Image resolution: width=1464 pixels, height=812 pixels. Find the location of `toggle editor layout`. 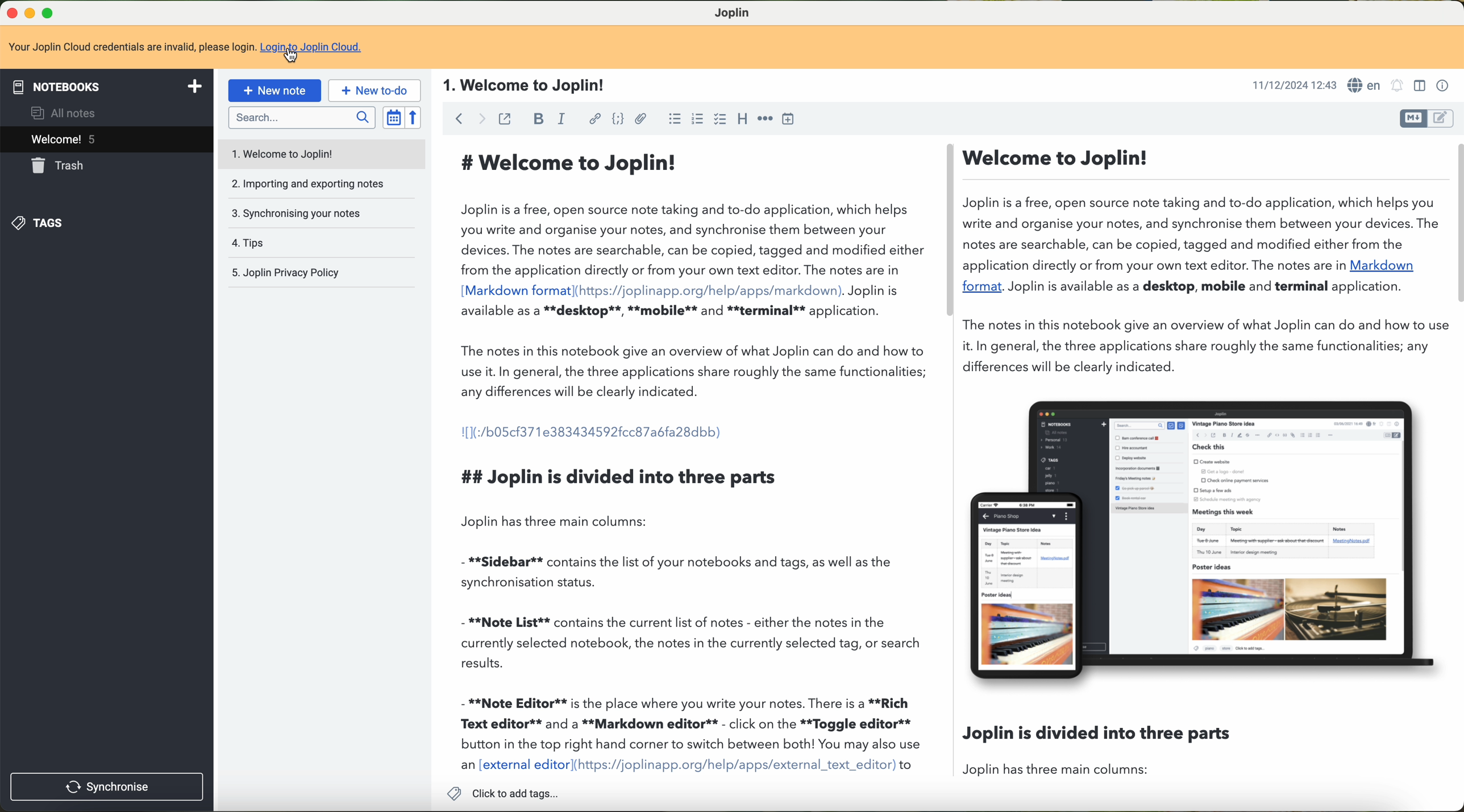

toggle editor layout is located at coordinates (1420, 86).